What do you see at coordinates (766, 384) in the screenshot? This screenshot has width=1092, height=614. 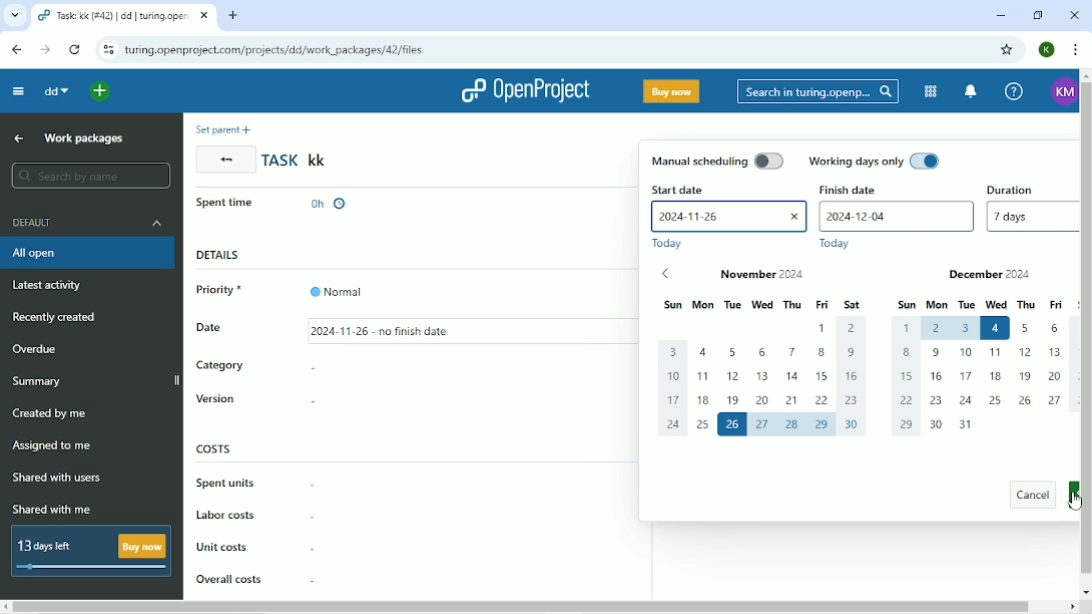 I see `dates of Nov 2024 ` at bounding box center [766, 384].